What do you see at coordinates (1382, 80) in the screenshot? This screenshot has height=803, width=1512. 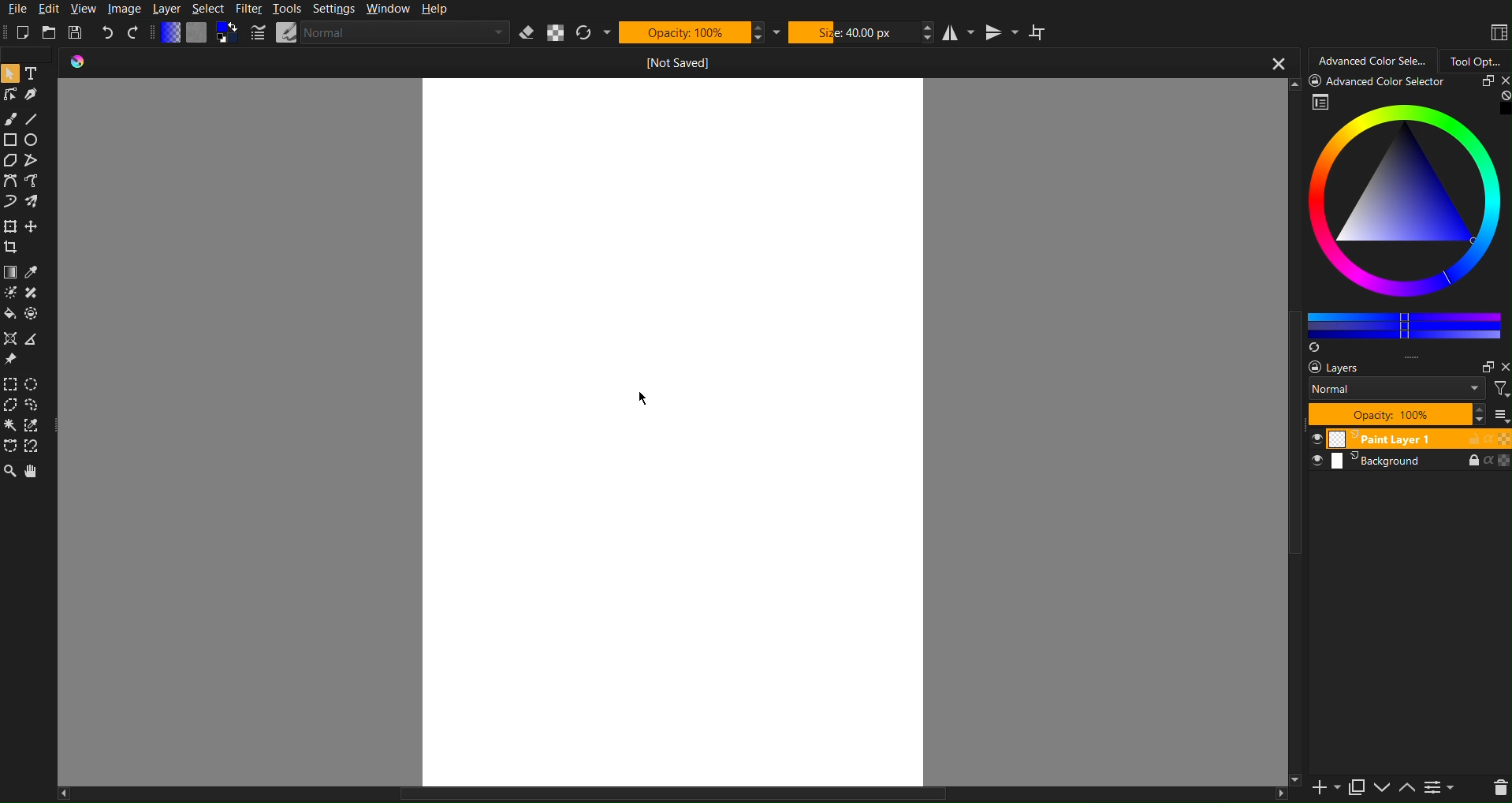 I see `` at bounding box center [1382, 80].